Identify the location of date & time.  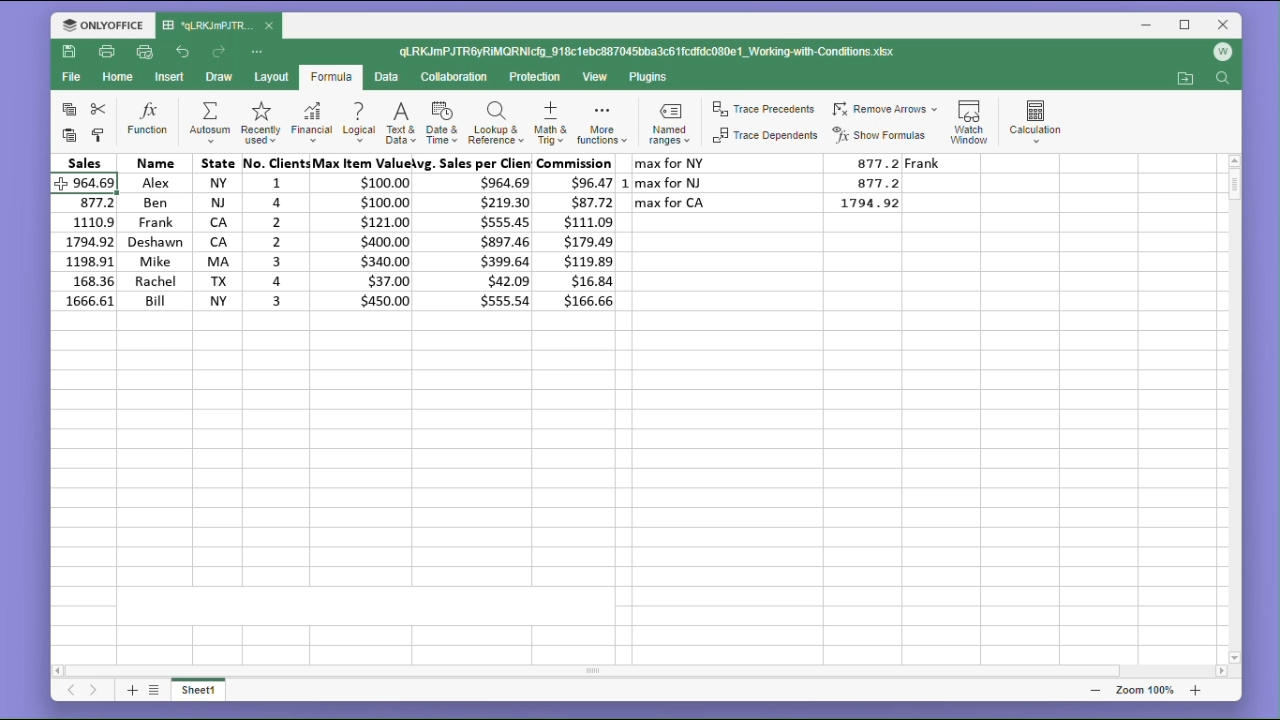
(443, 124).